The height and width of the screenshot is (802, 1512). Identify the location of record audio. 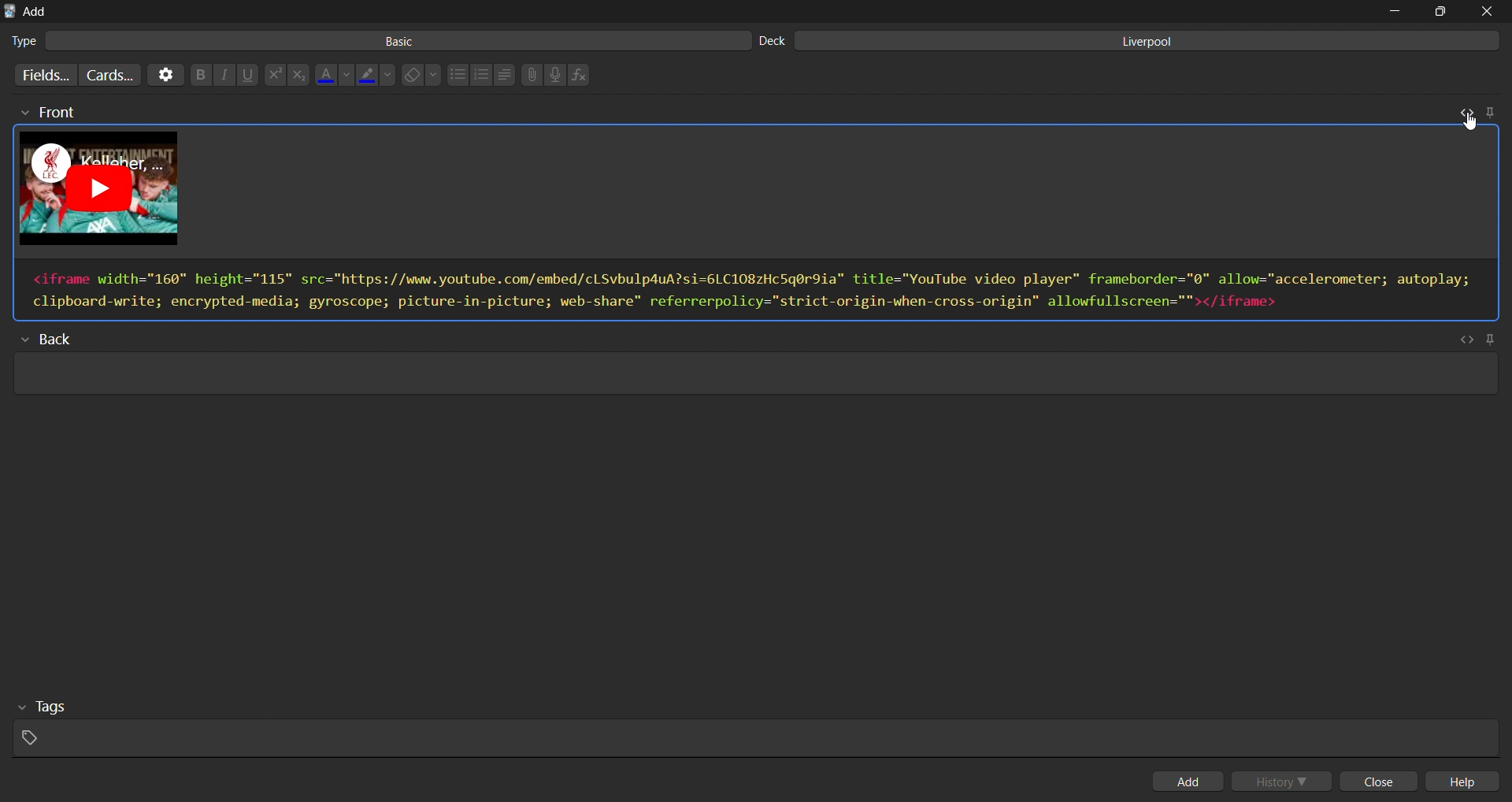
(559, 76).